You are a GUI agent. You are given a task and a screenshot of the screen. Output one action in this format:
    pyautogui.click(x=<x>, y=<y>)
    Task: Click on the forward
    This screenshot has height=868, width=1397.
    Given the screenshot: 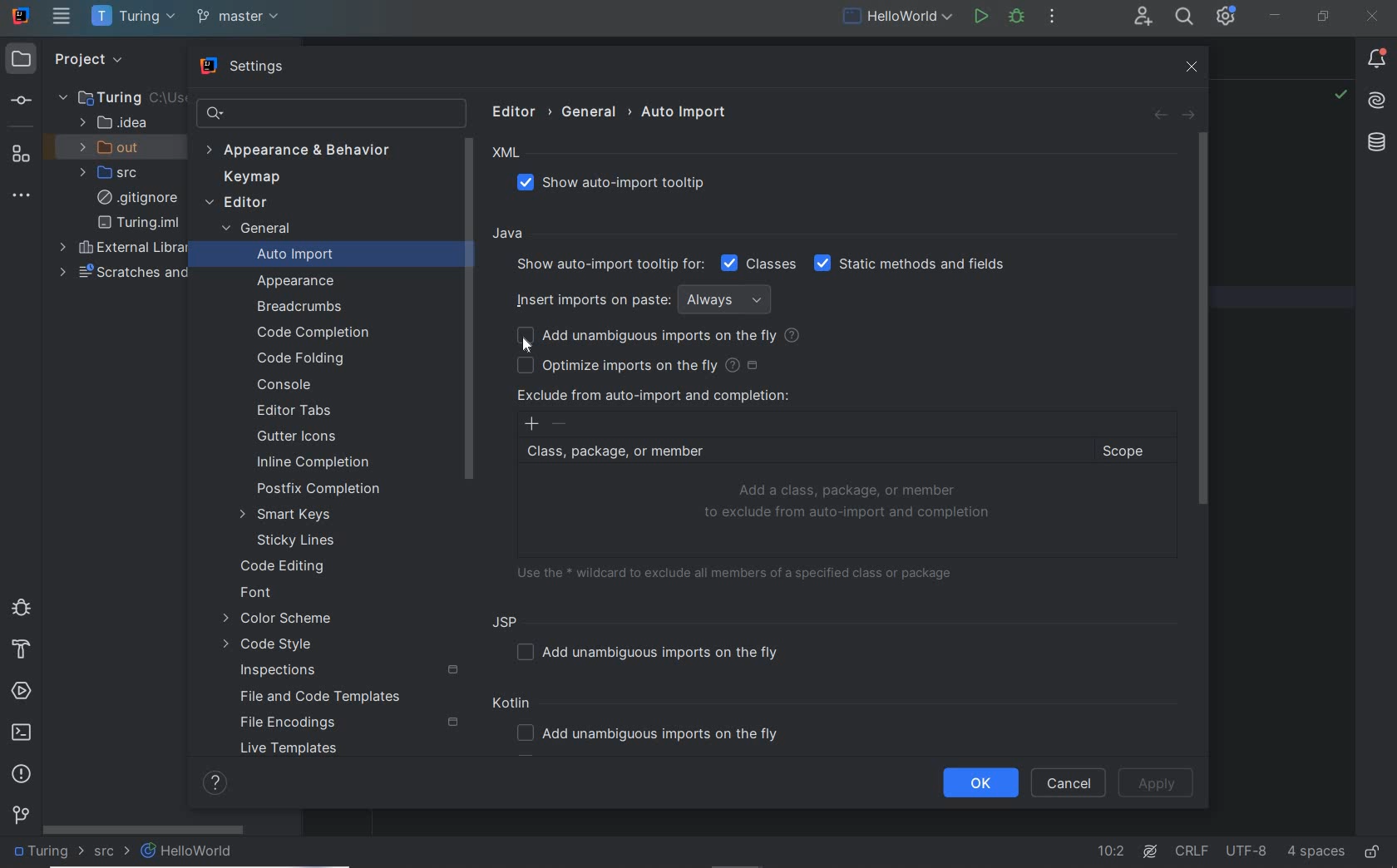 What is the action you would take?
    pyautogui.click(x=1187, y=116)
    